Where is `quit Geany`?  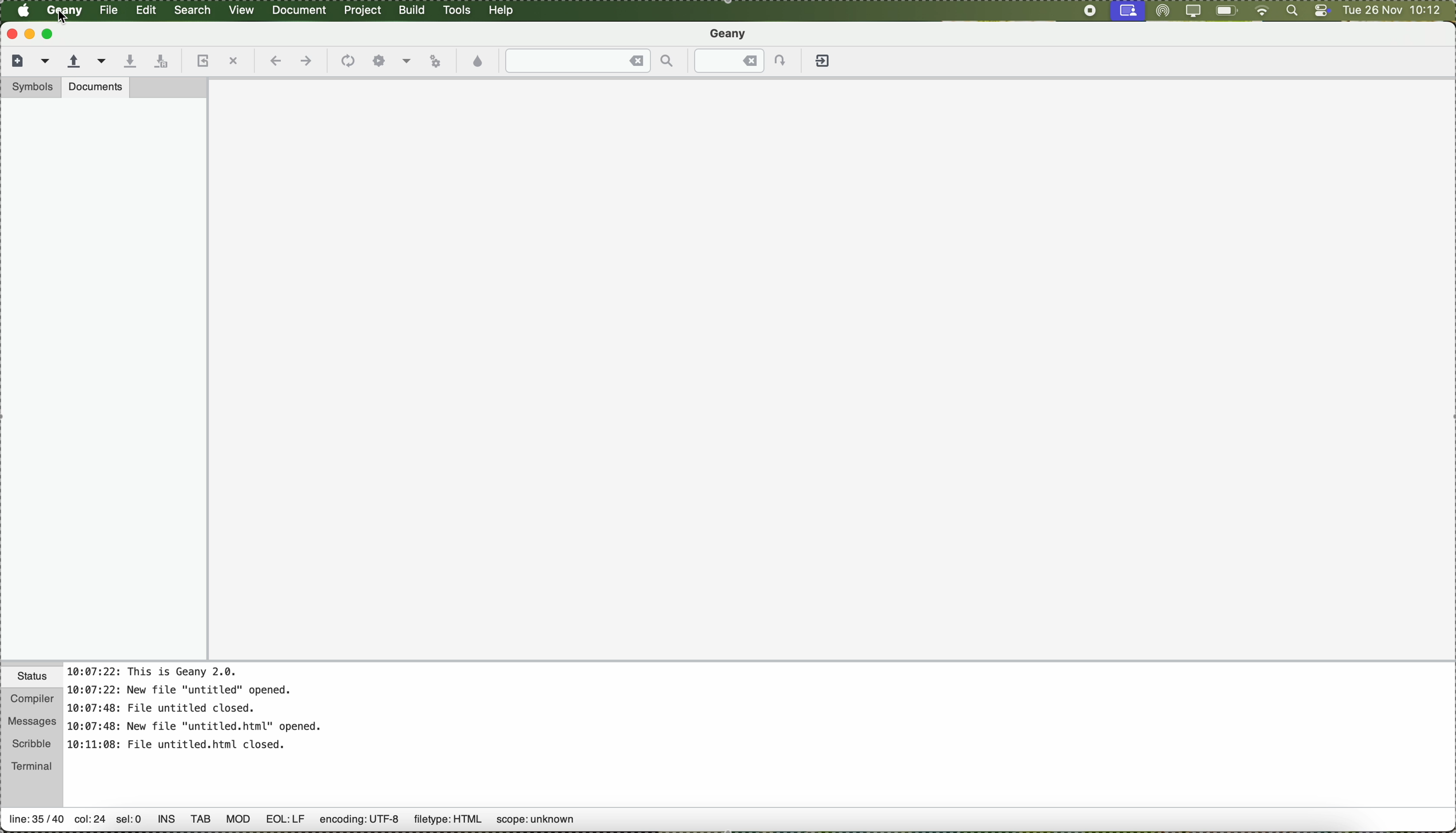
quit Geany is located at coordinates (824, 63).